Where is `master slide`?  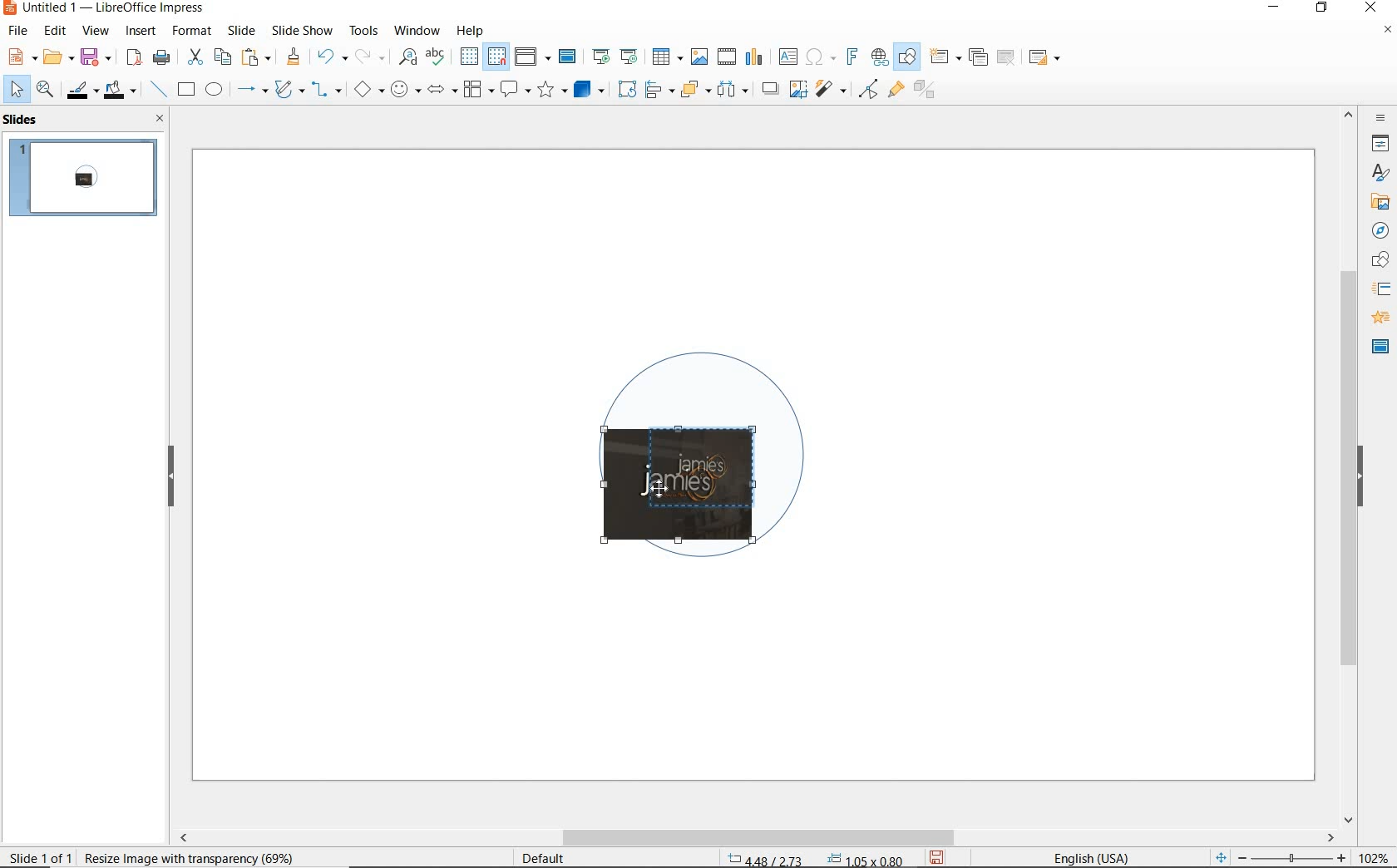 master slide is located at coordinates (570, 57).